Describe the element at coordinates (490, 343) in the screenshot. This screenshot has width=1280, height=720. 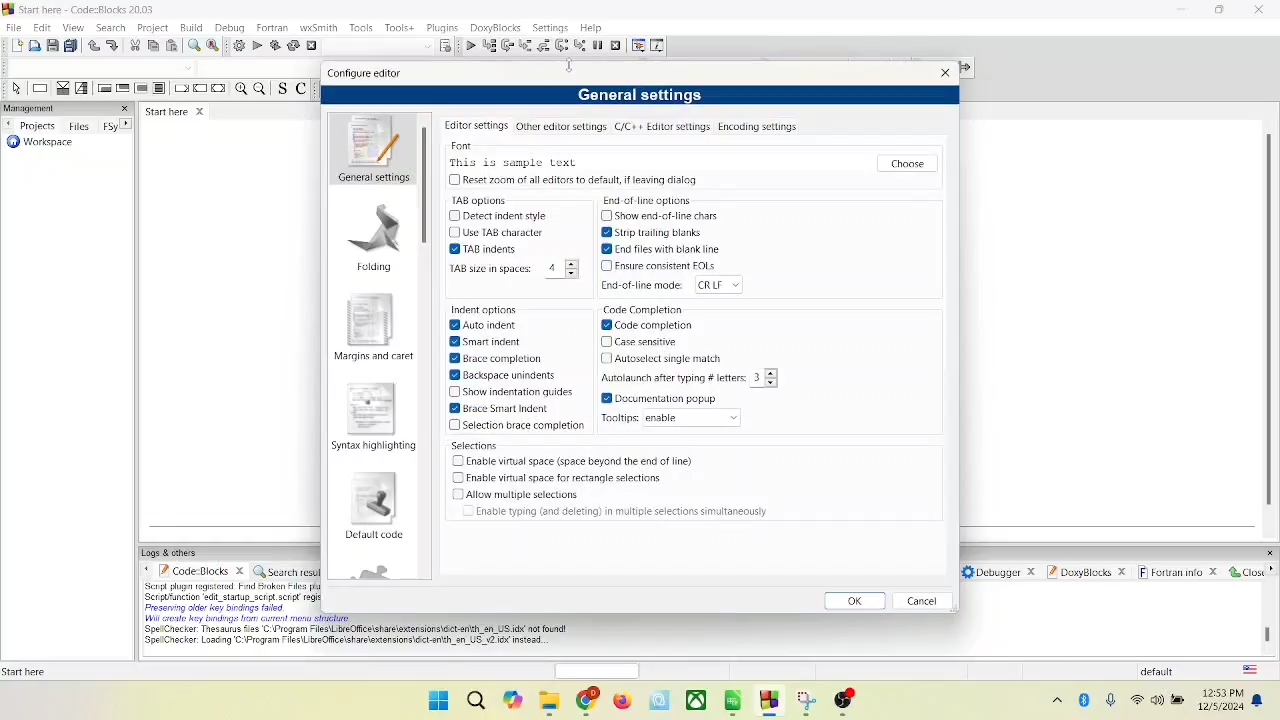
I see `smart indent` at that location.